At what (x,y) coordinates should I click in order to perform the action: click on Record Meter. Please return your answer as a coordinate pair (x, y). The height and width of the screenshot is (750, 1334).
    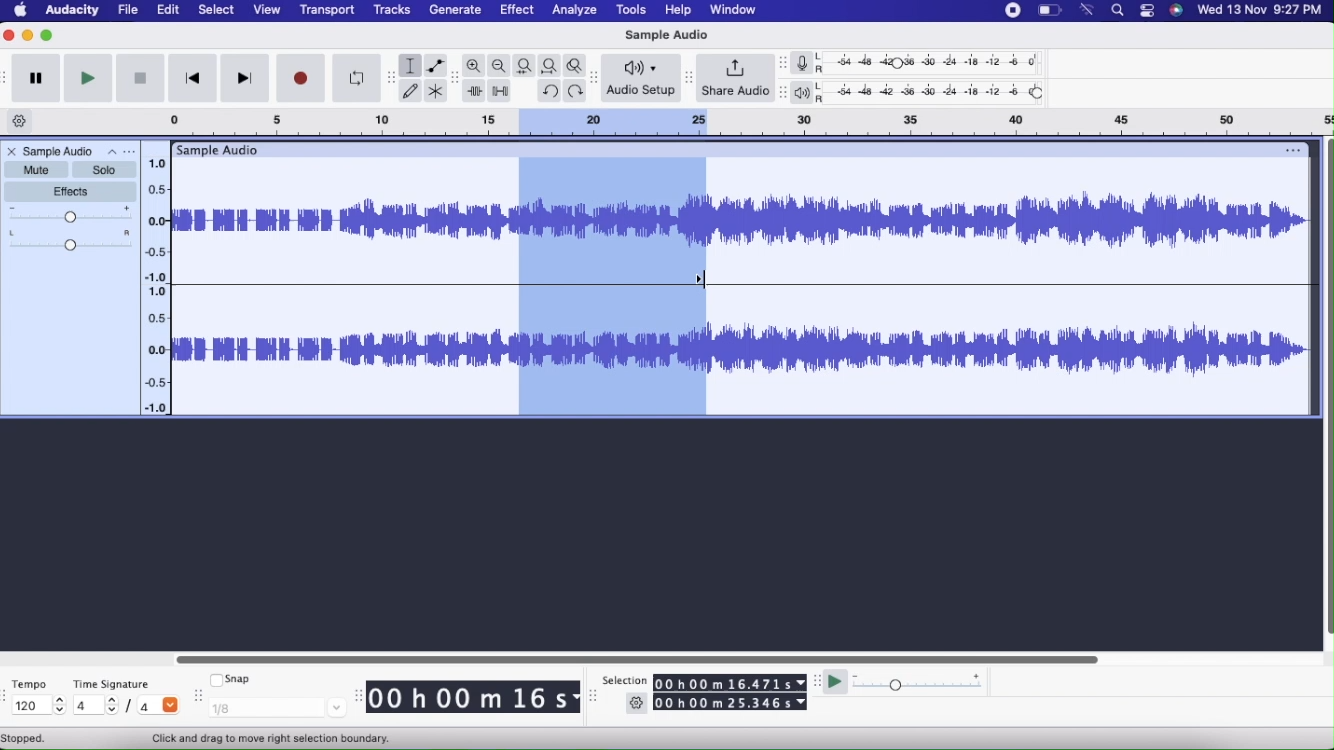
    Looking at the image, I should click on (808, 63).